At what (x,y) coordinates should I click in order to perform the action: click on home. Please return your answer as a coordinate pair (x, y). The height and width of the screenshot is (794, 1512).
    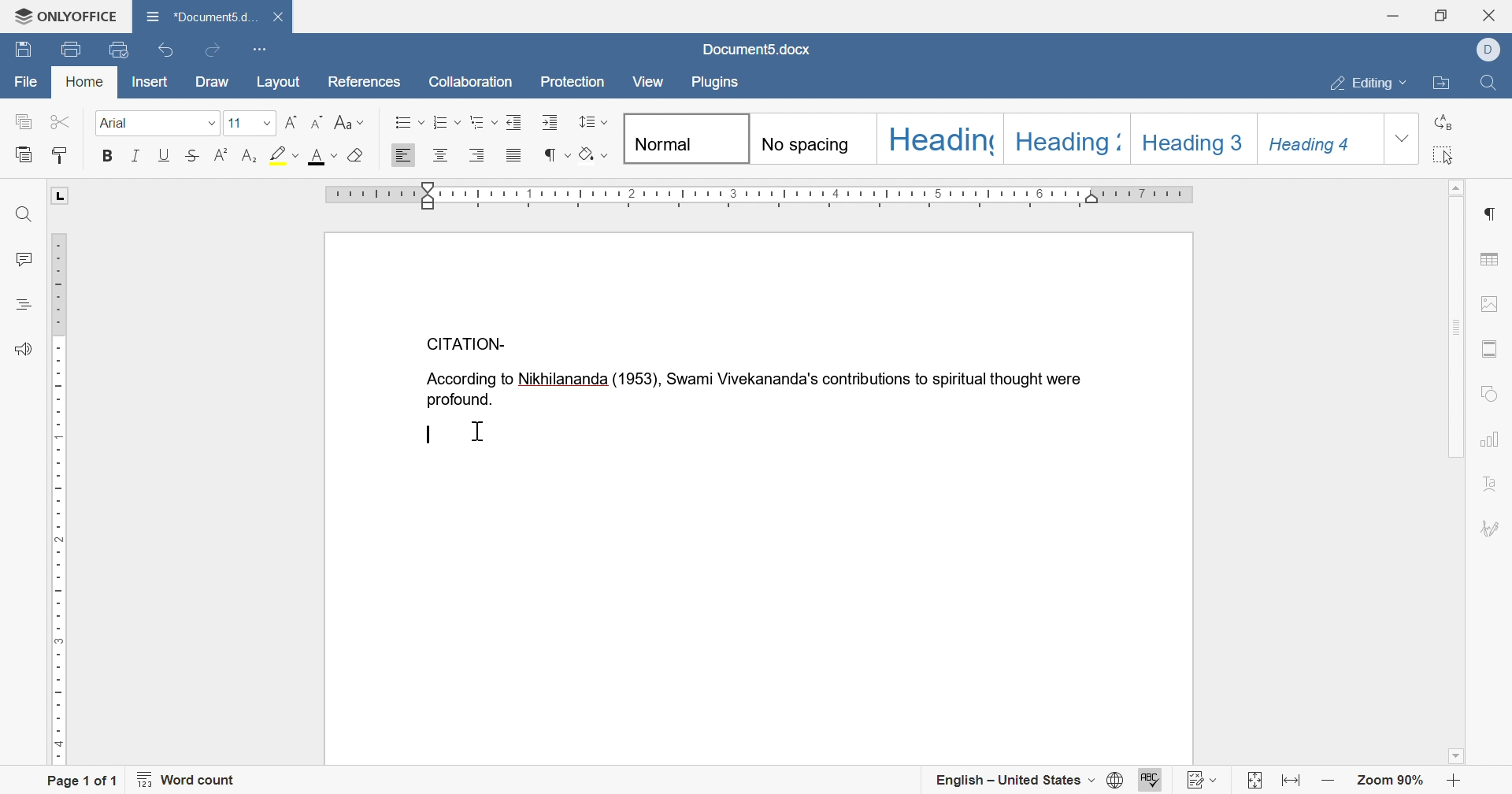
    Looking at the image, I should click on (80, 82).